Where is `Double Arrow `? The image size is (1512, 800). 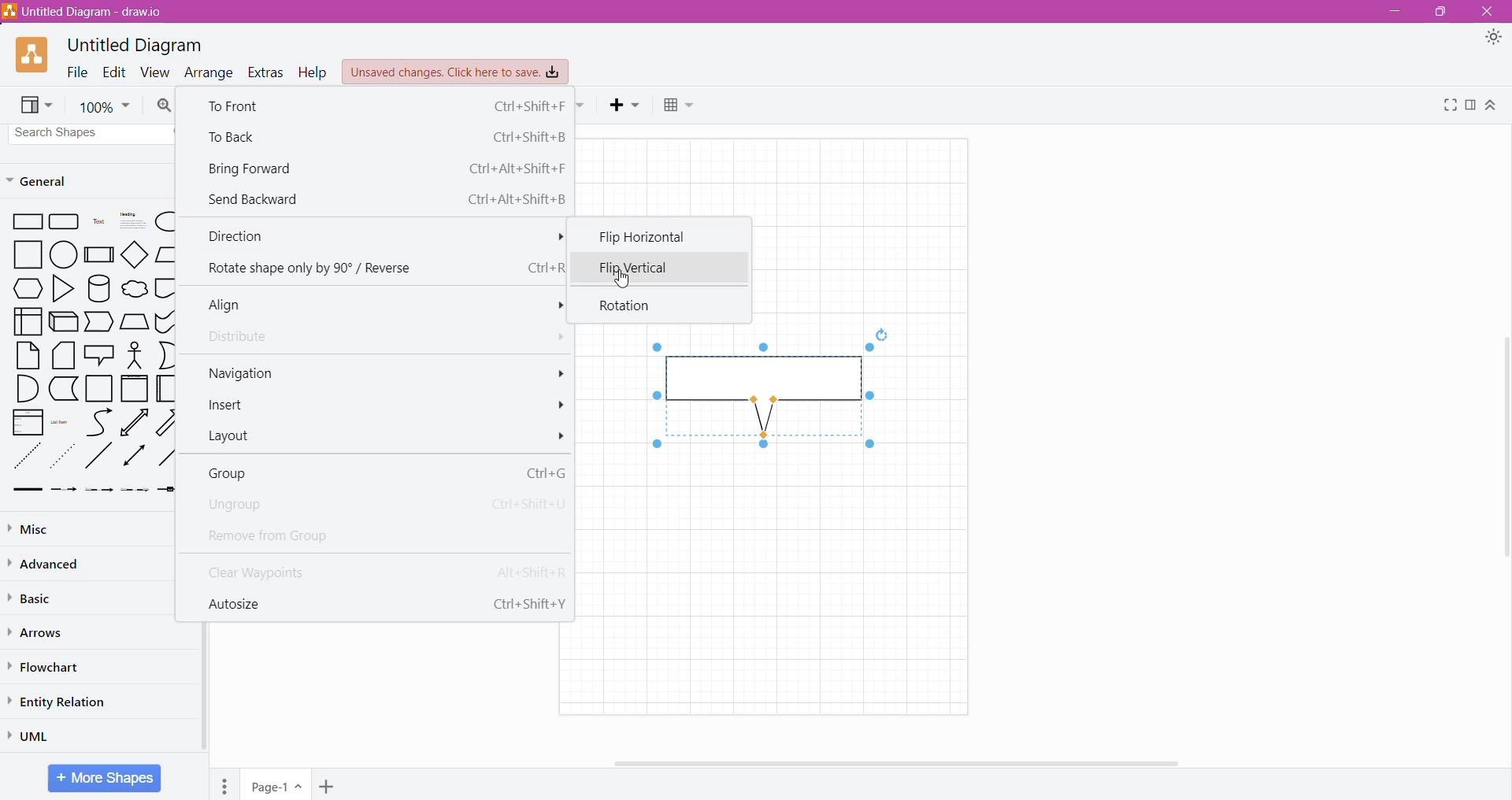 Double Arrow  is located at coordinates (135, 457).